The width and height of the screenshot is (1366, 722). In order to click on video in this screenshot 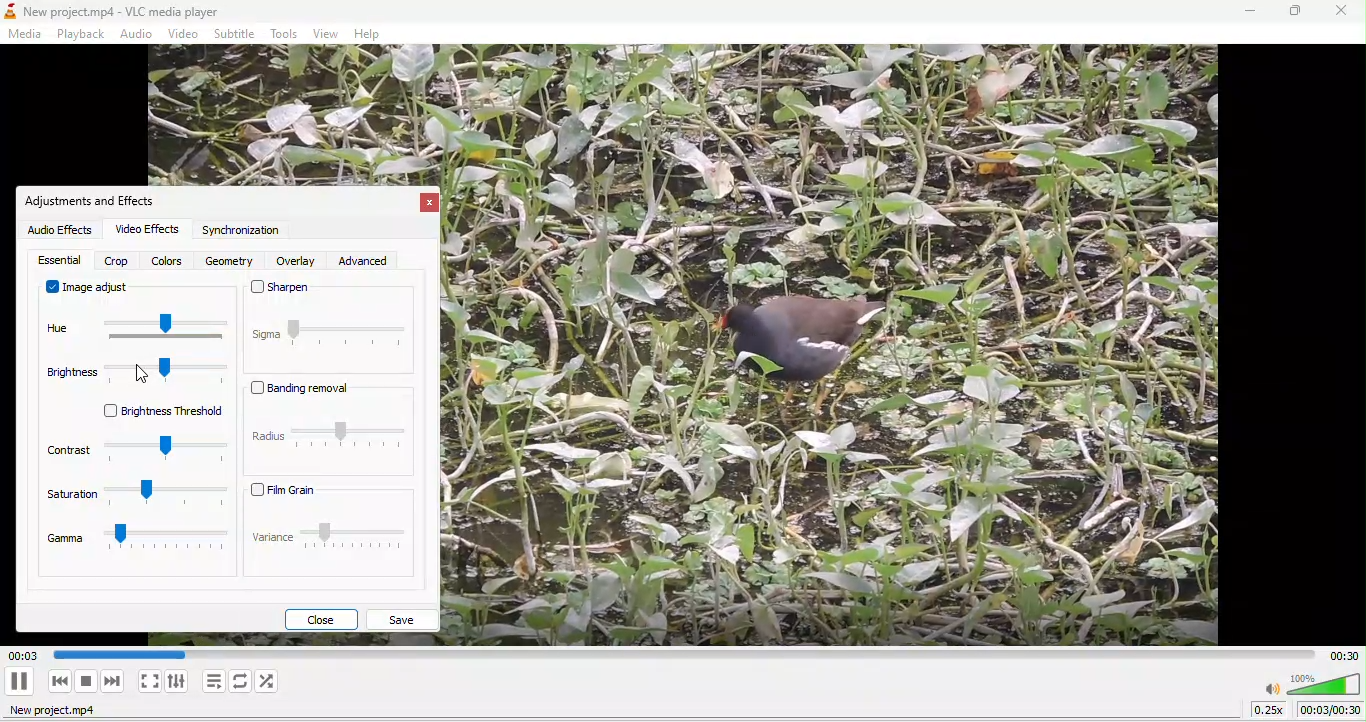, I will do `click(185, 34)`.